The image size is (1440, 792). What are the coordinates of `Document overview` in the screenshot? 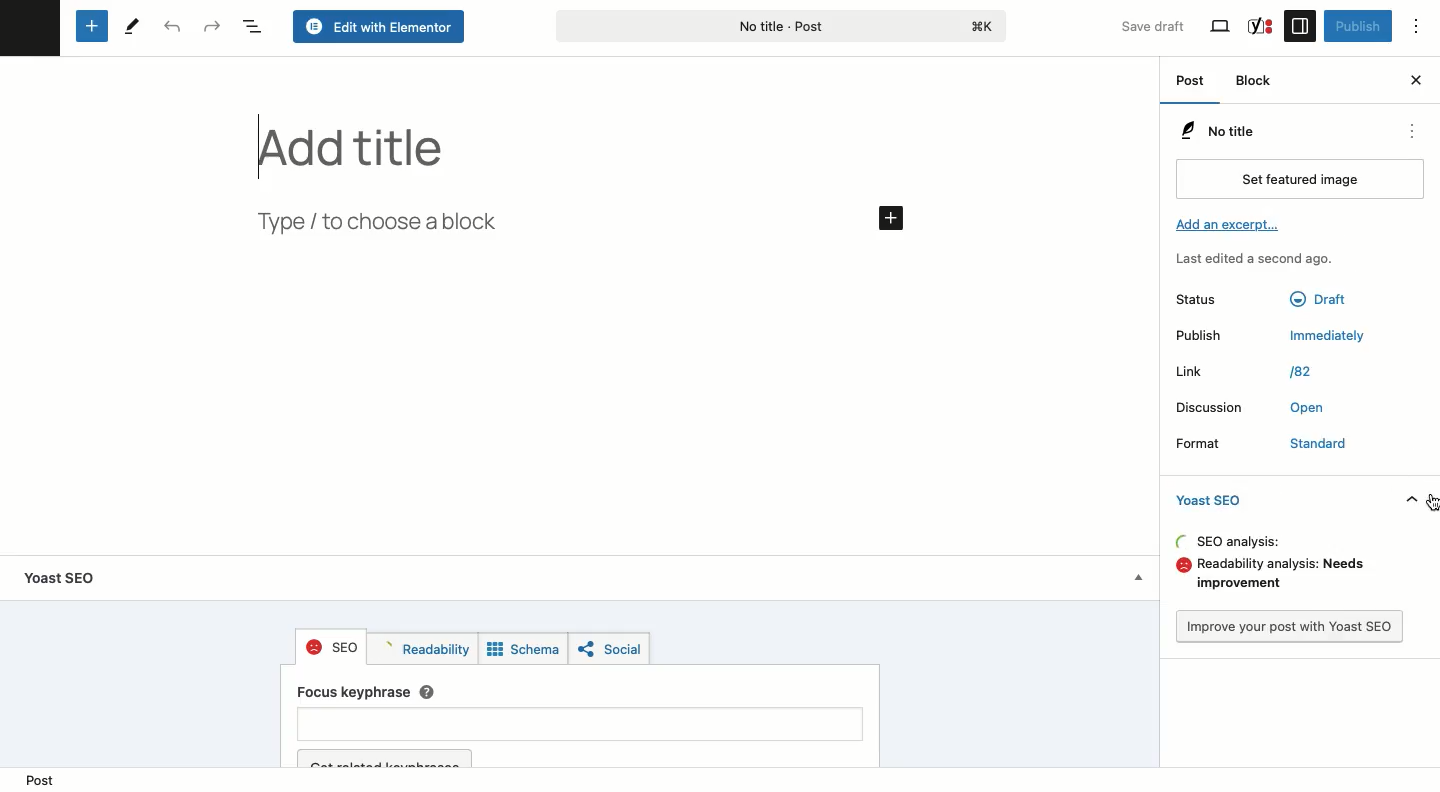 It's located at (253, 28).